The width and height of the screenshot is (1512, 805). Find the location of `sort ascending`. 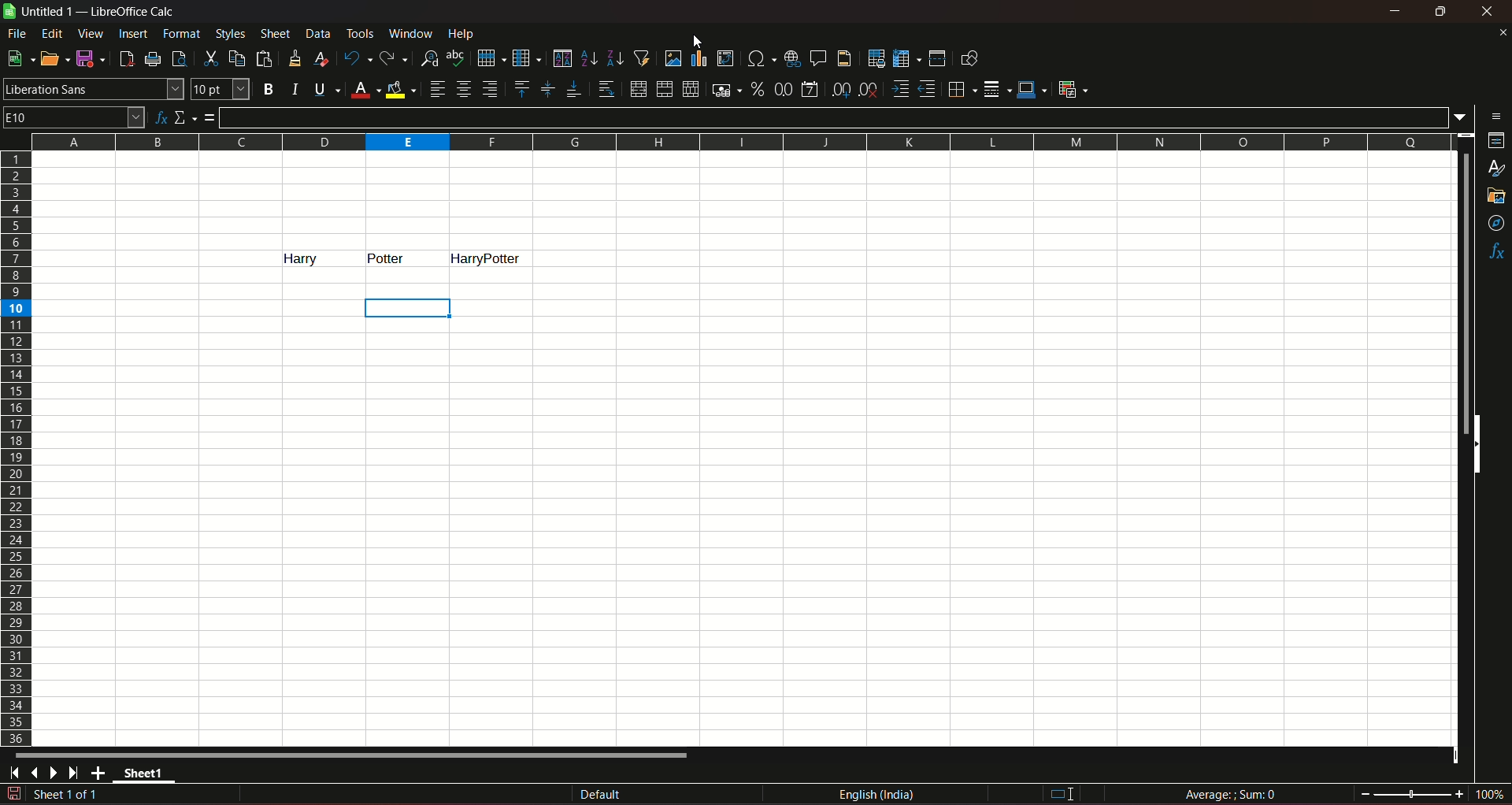

sort ascending is located at coordinates (590, 57).